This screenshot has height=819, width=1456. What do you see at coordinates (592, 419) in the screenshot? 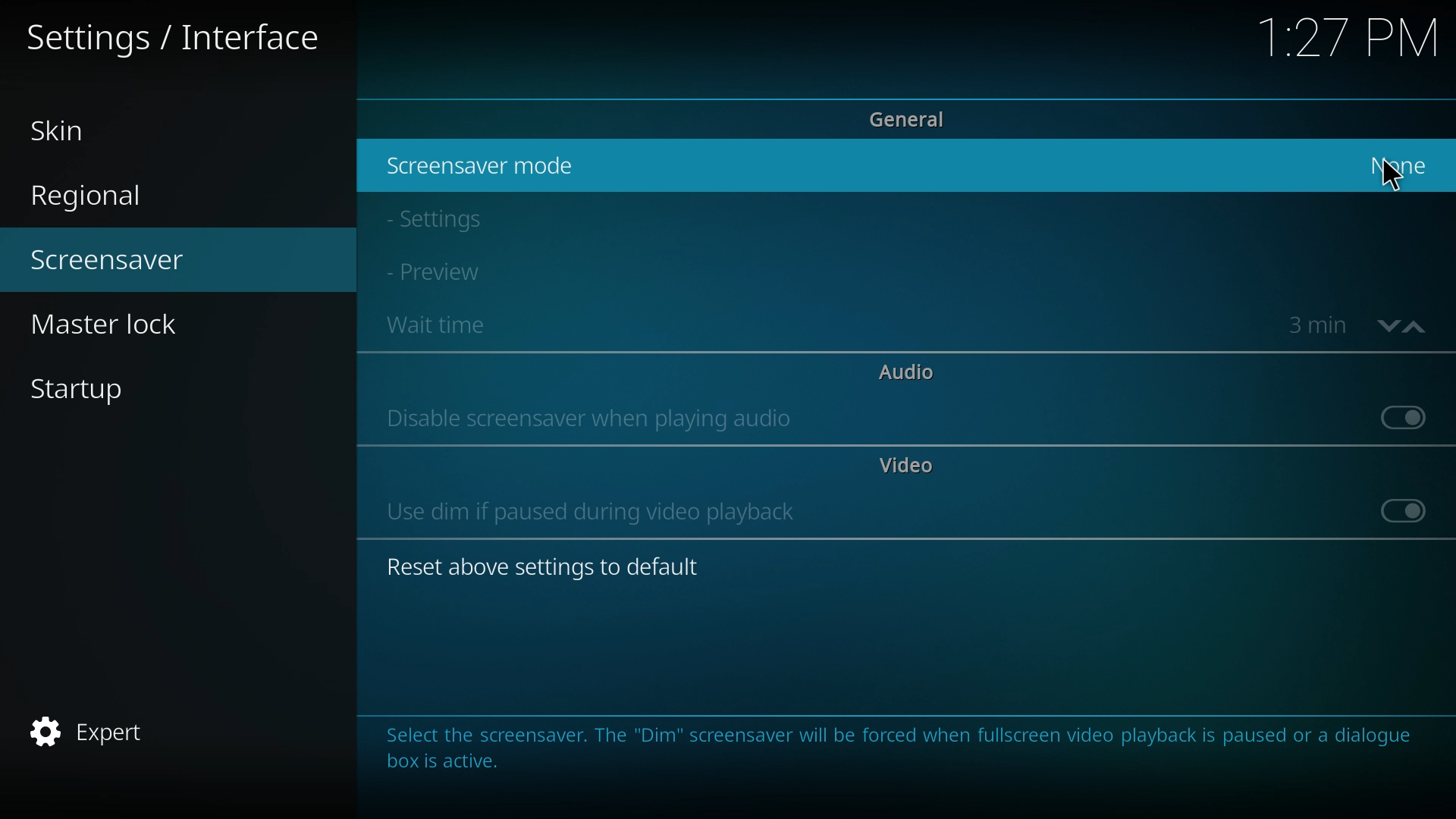
I see `disable screensaver when playing audio` at bounding box center [592, 419].